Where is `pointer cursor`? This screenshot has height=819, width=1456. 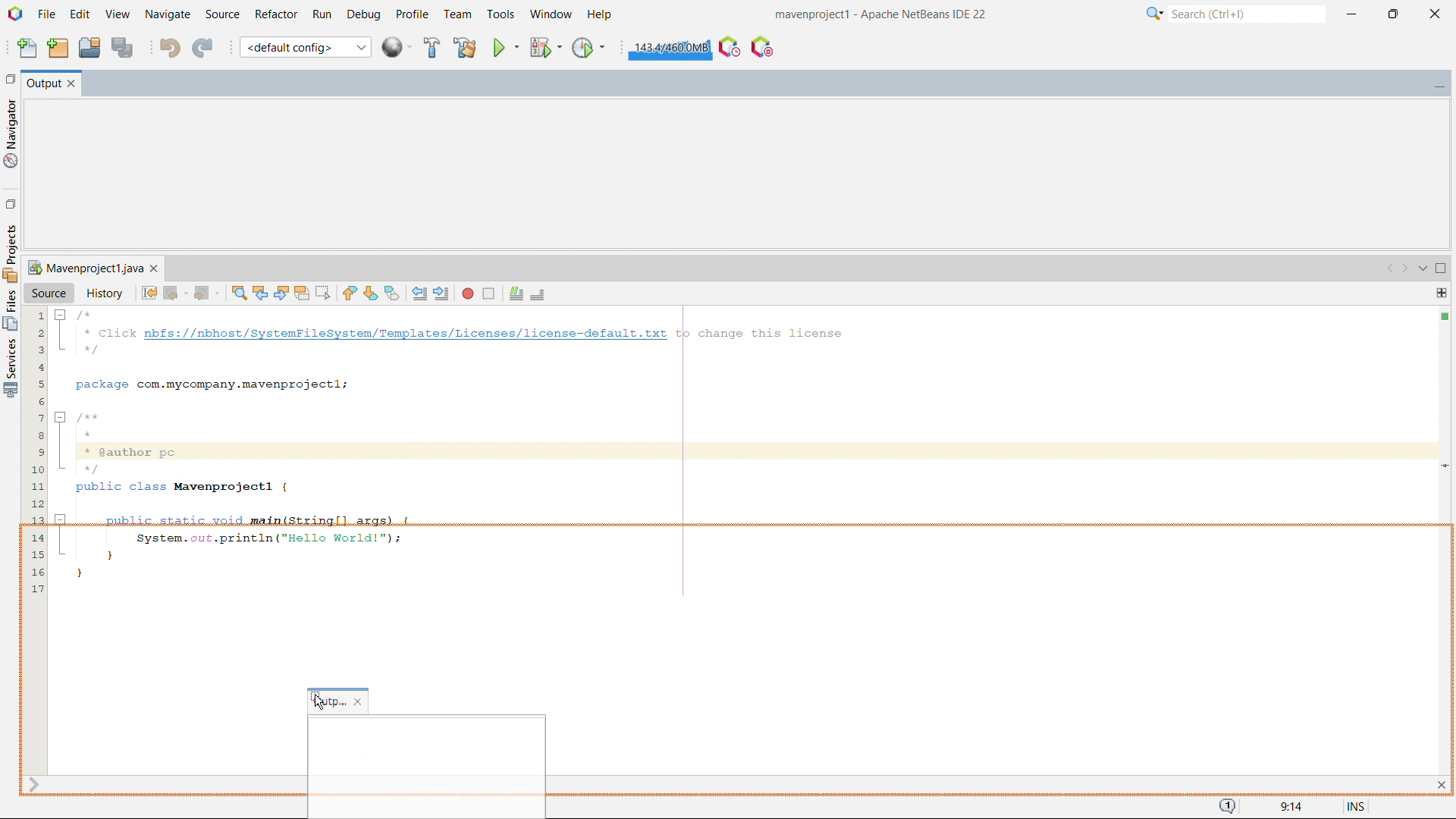
pointer cursor is located at coordinates (318, 702).